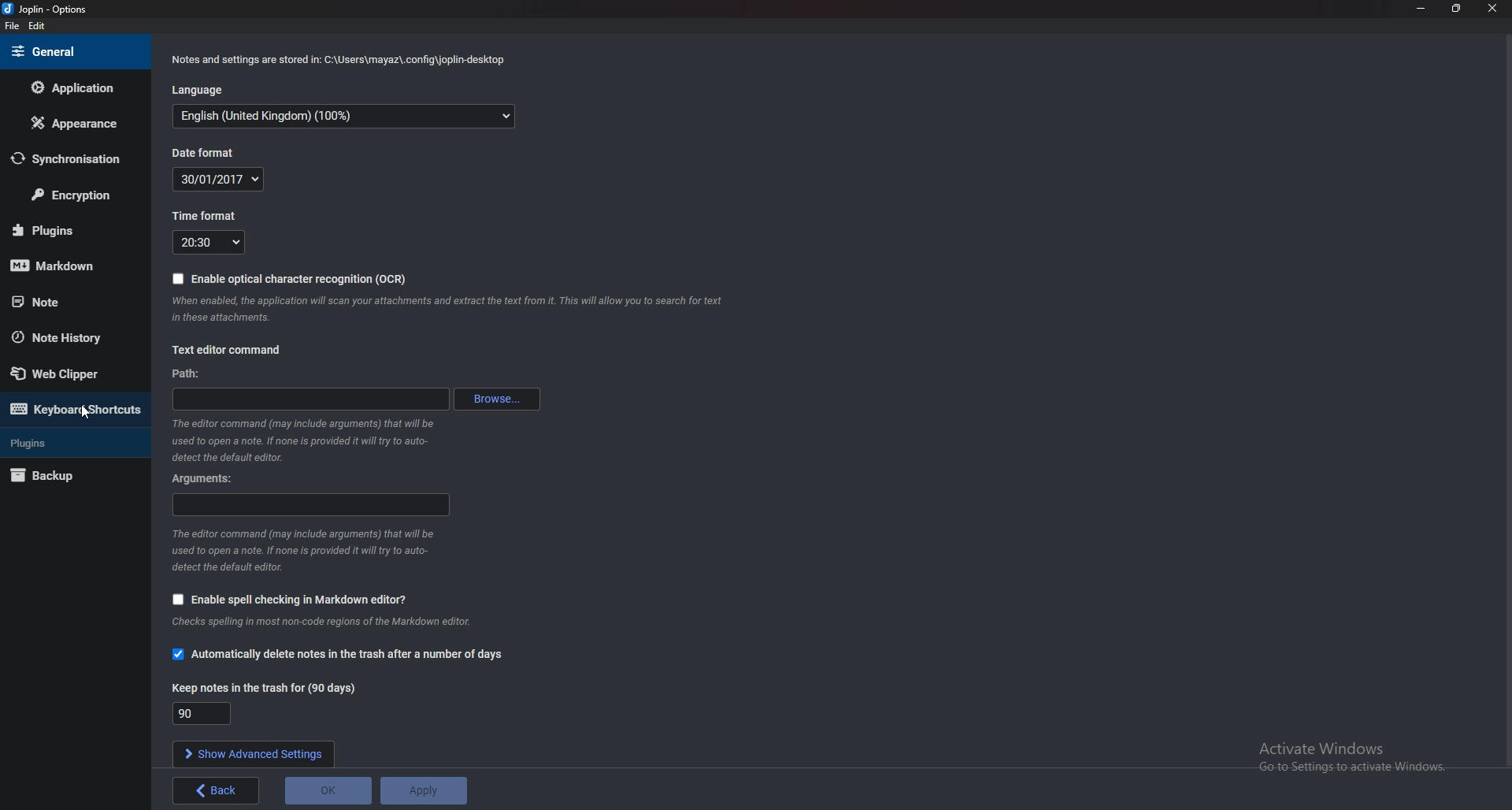  I want to click on Time format, so click(209, 243).